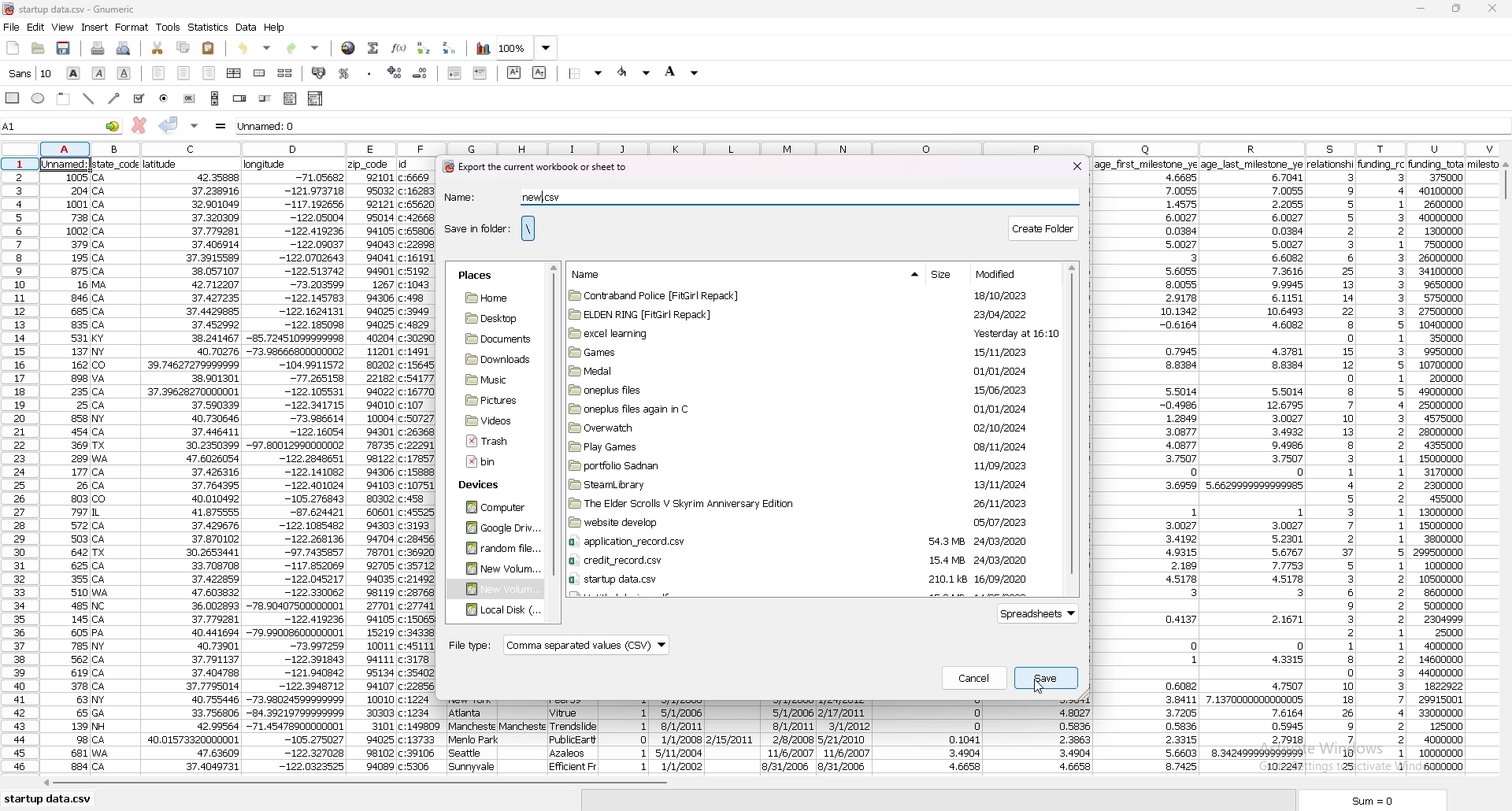  What do you see at coordinates (1045, 227) in the screenshot?
I see `create folder` at bounding box center [1045, 227].